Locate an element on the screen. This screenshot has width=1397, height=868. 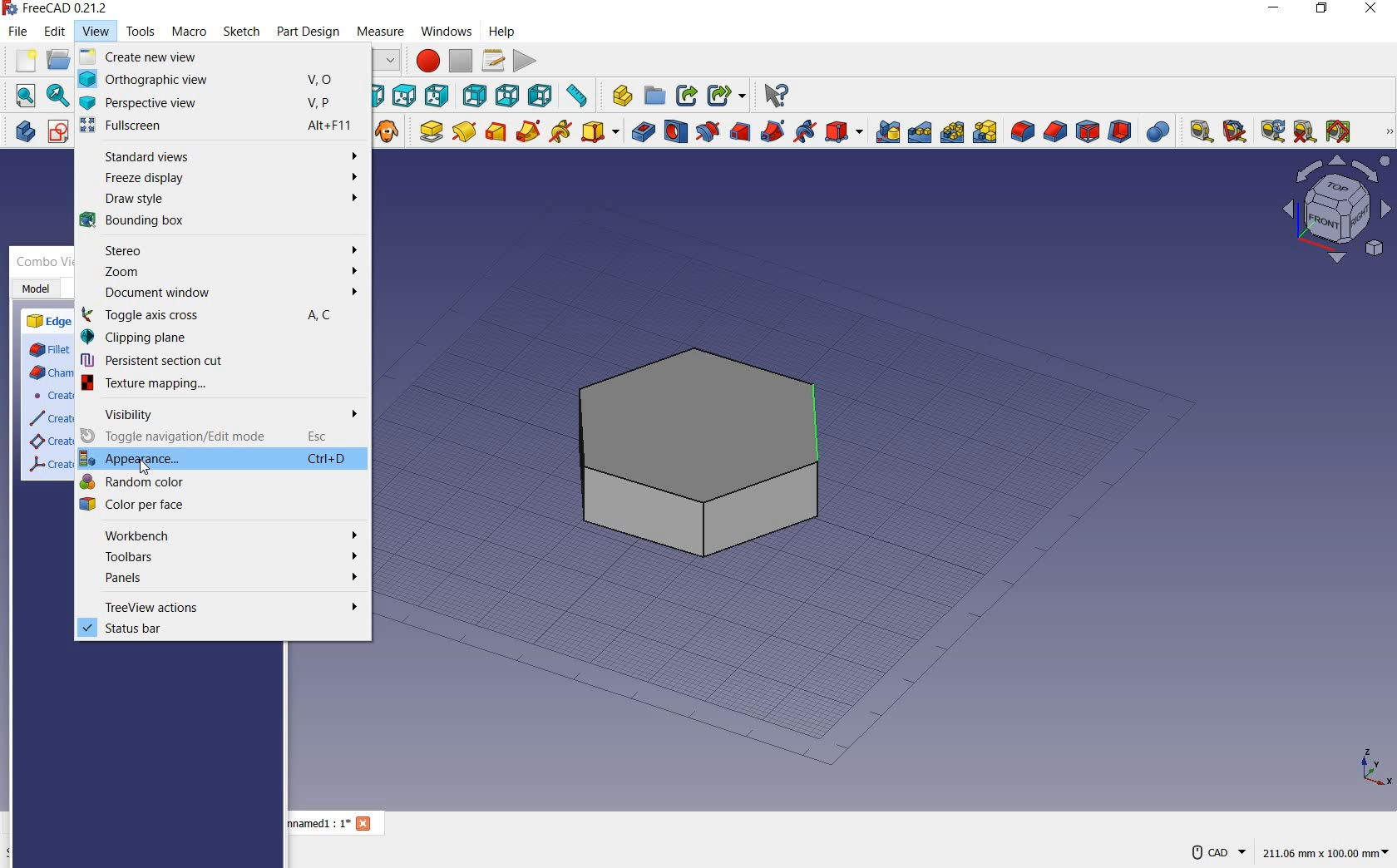
help is located at coordinates (511, 32).